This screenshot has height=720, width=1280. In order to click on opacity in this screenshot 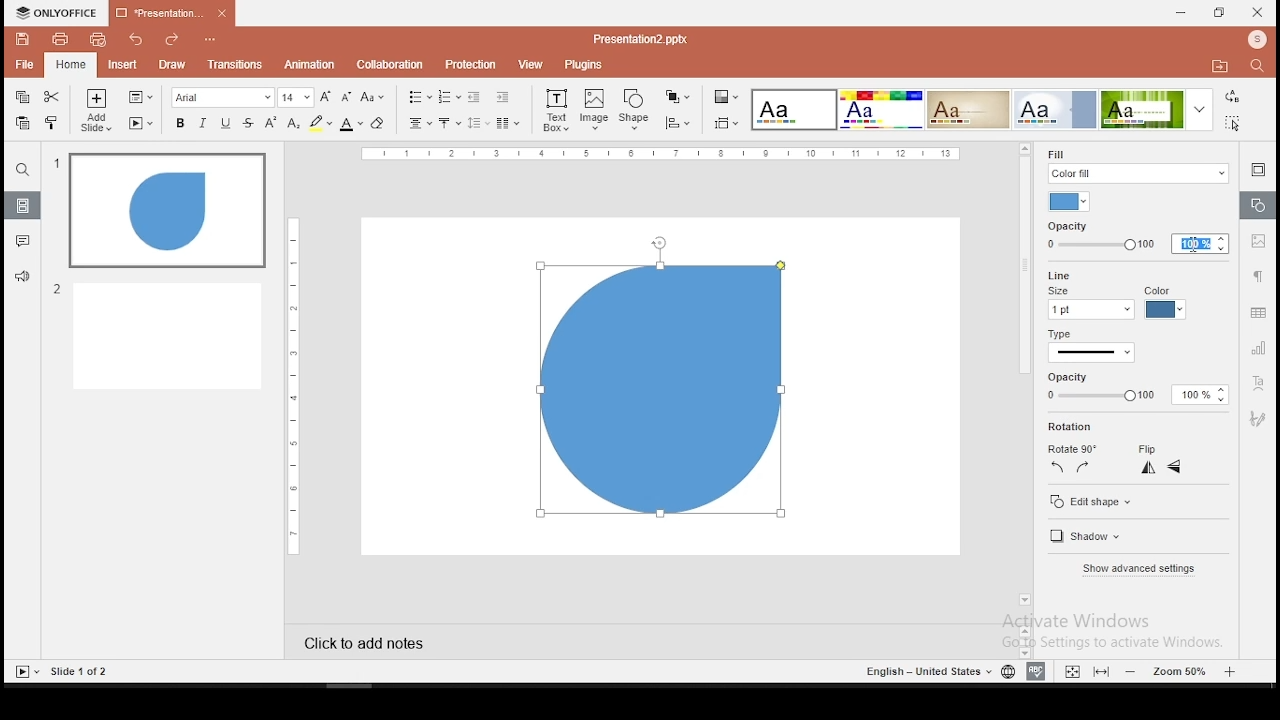, I will do `click(1136, 237)`.